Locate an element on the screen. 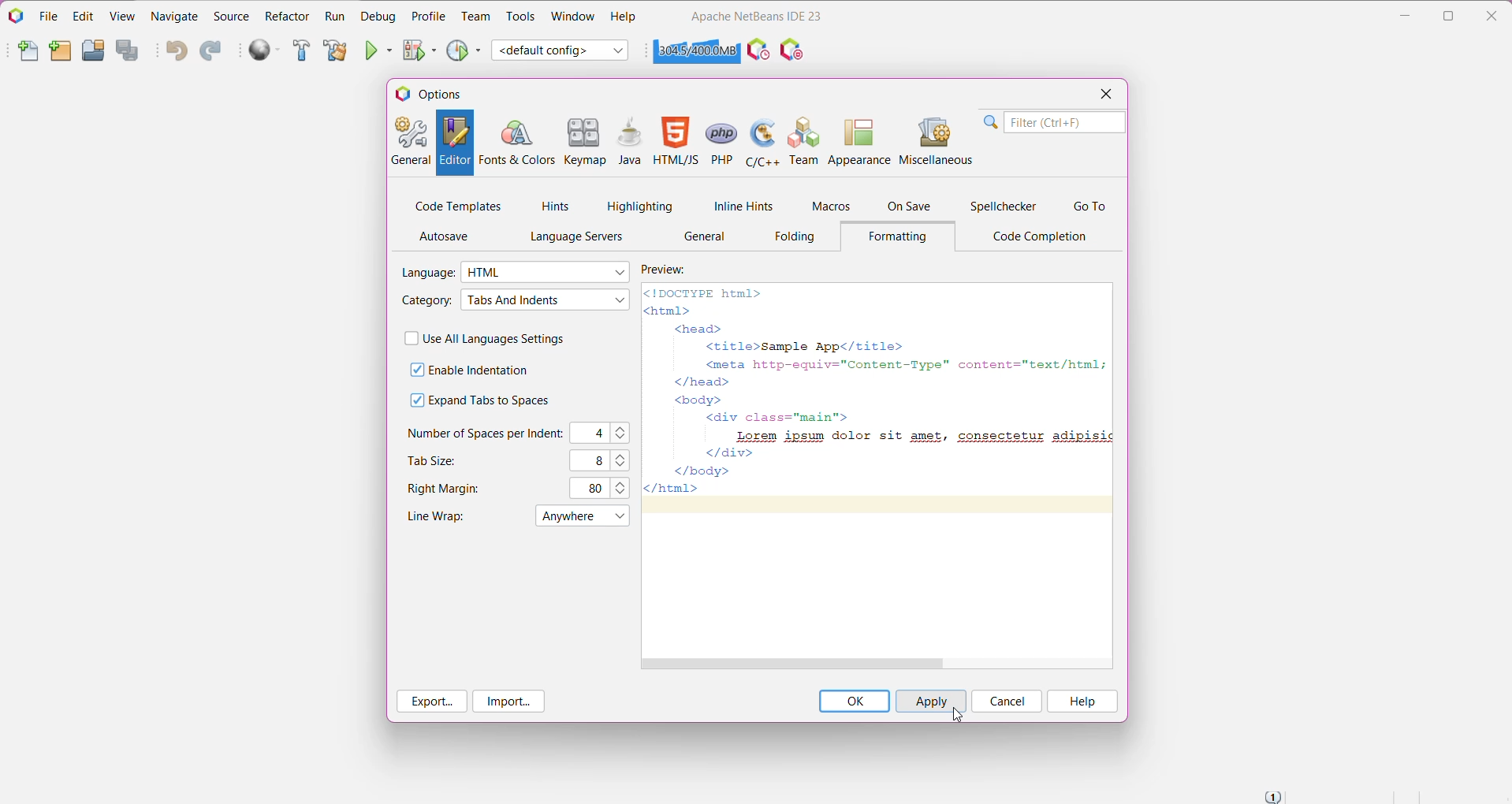 This screenshot has height=804, width=1512. C/C++ is located at coordinates (764, 141).